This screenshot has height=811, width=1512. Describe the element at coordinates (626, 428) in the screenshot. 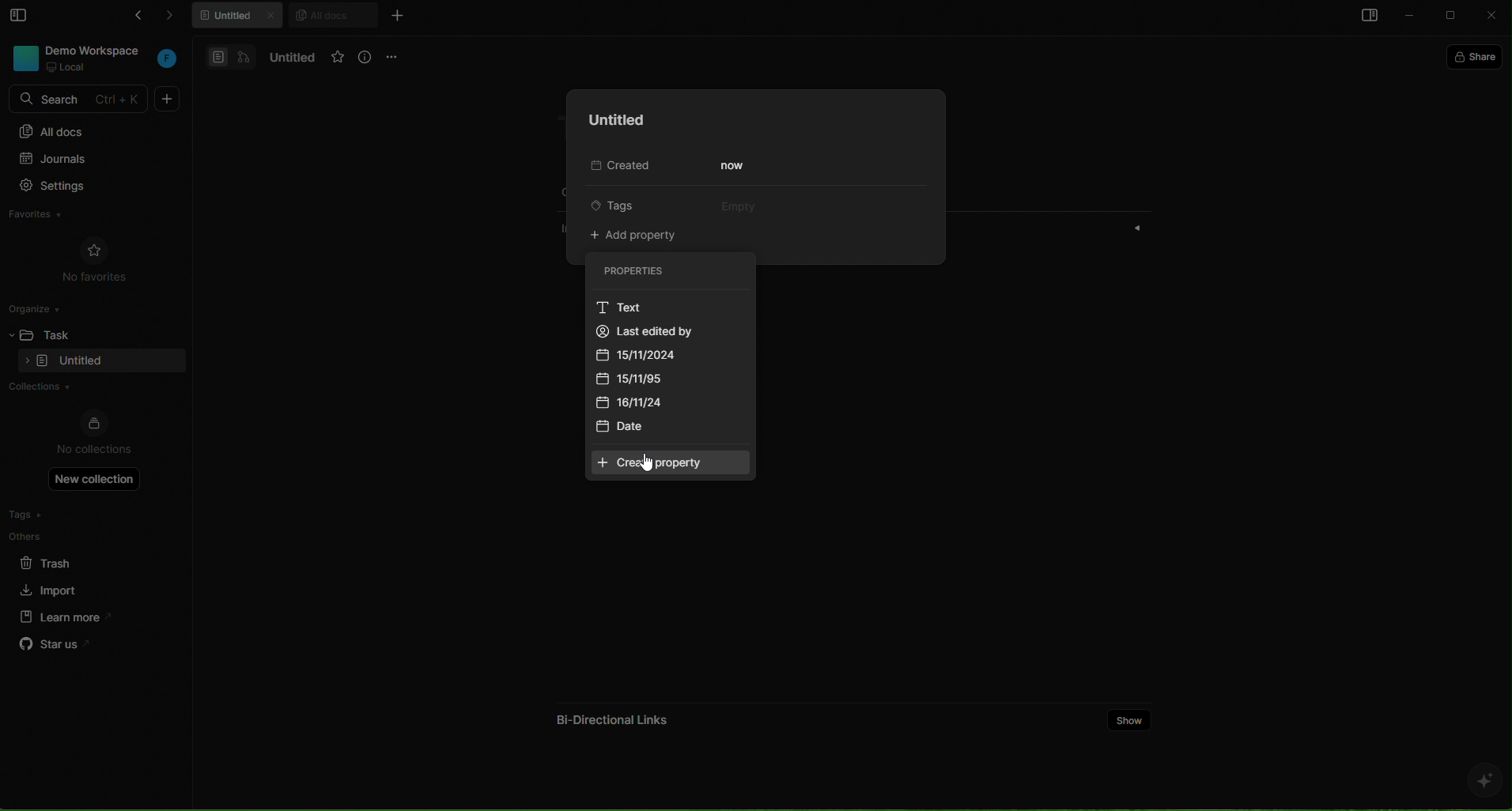

I see `Date` at that location.